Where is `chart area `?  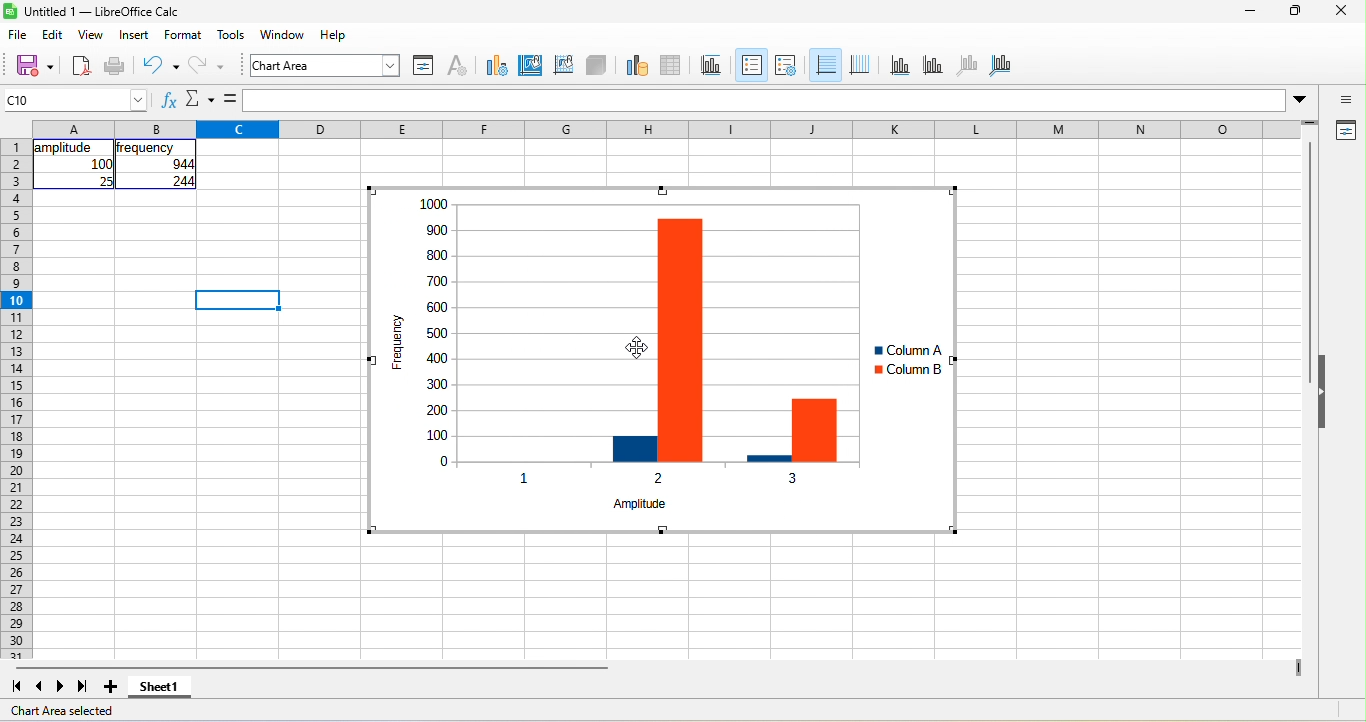 chart area  is located at coordinates (531, 66).